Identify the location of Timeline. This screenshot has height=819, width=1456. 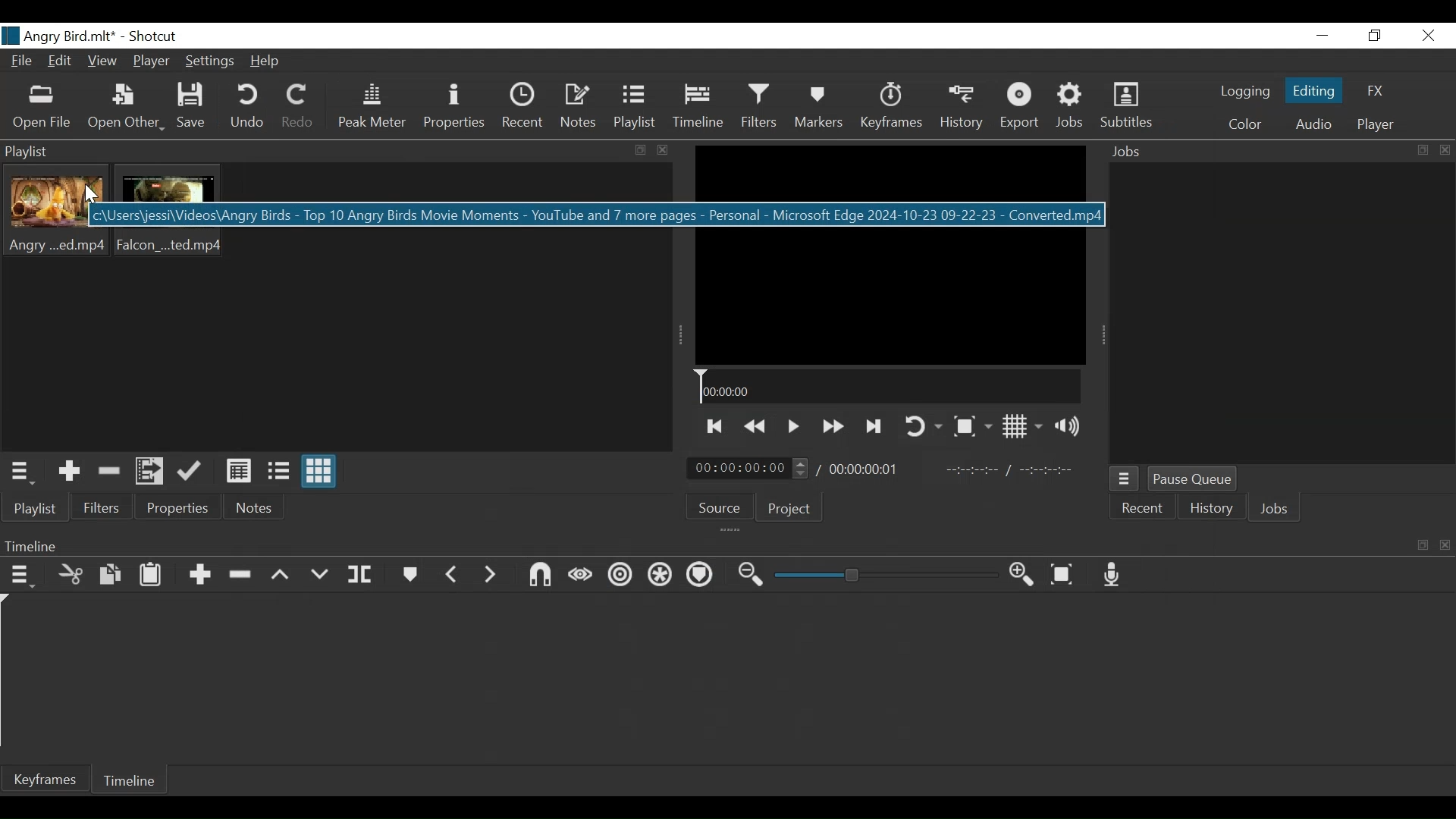
(889, 387).